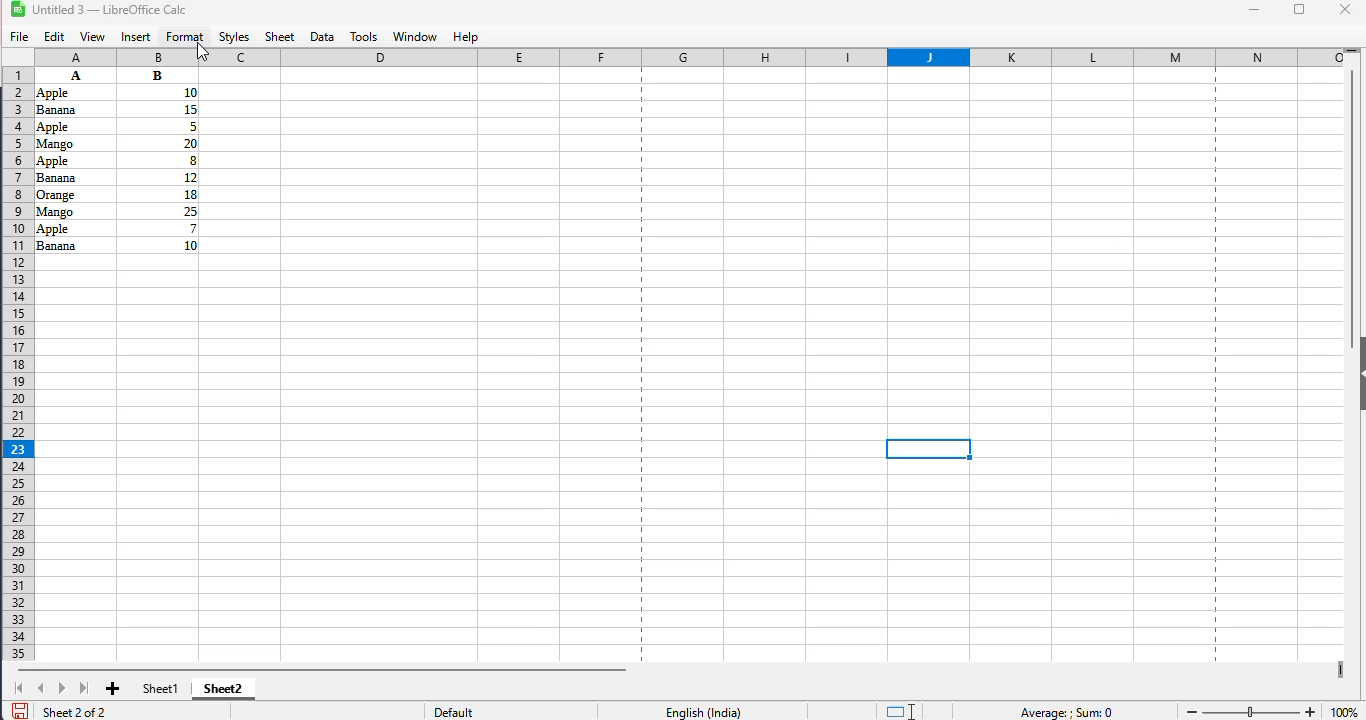 The width and height of the screenshot is (1366, 720). I want to click on , so click(157, 75).